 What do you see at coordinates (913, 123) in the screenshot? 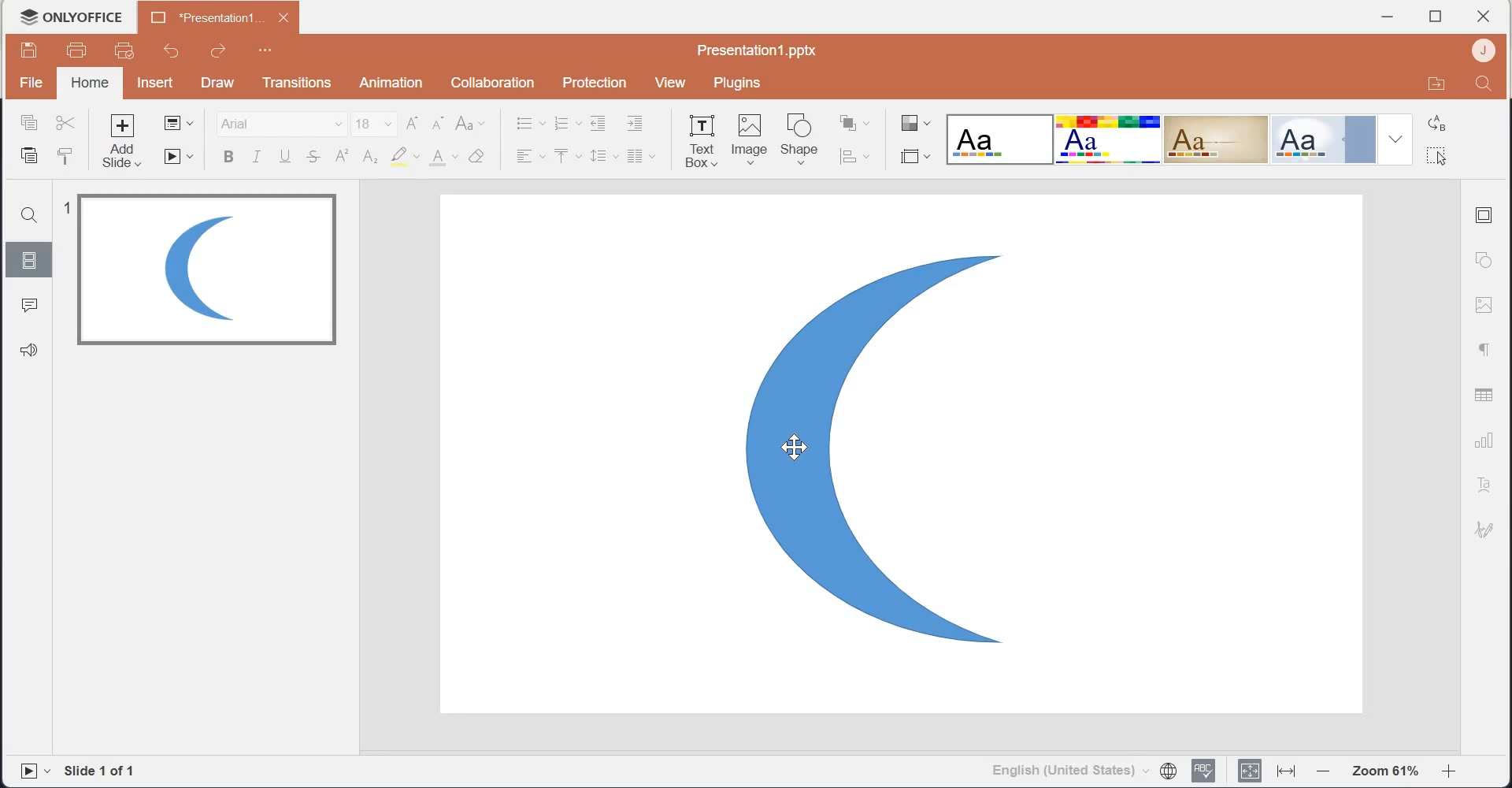
I see `Change color theme` at bounding box center [913, 123].